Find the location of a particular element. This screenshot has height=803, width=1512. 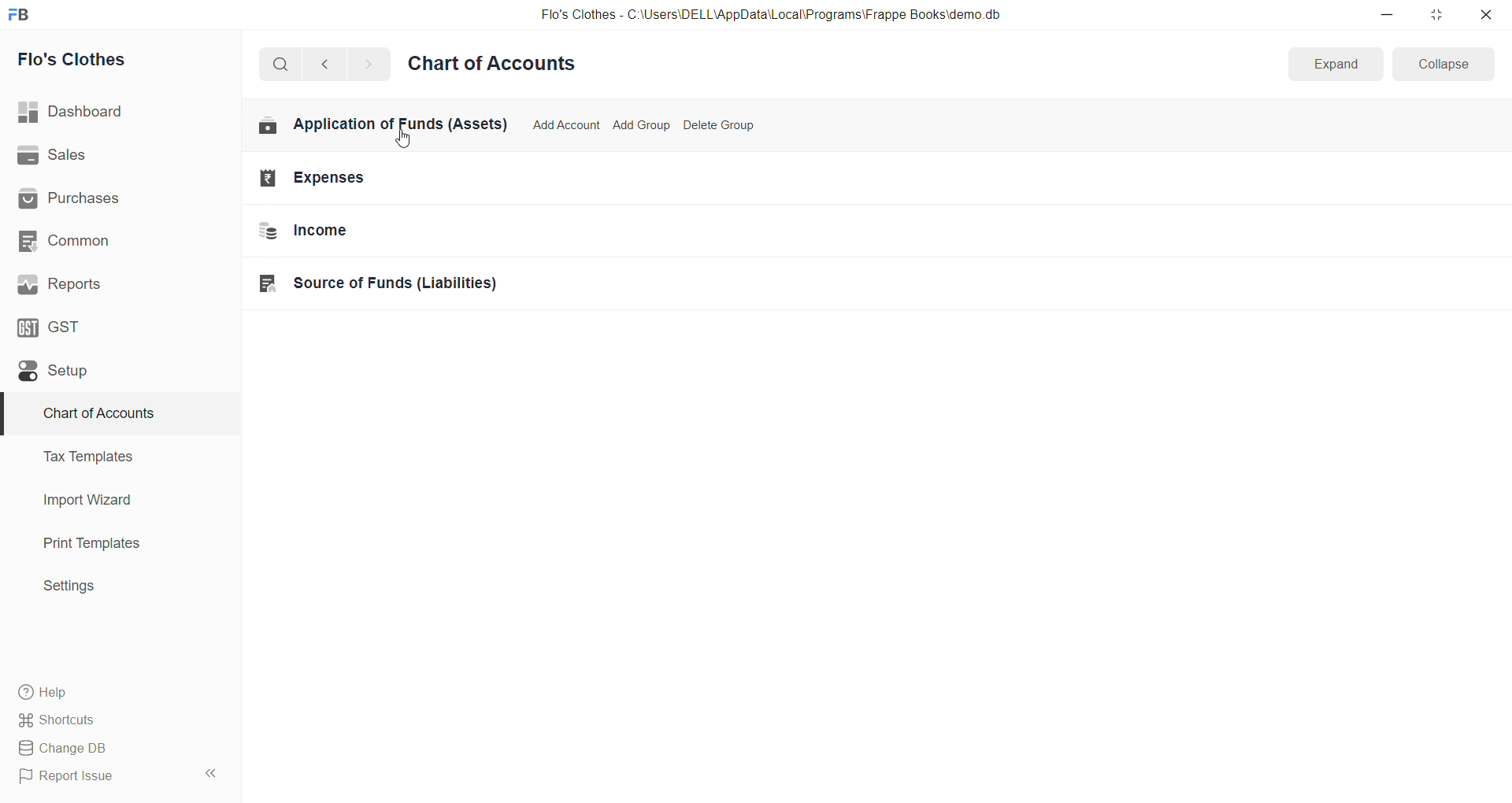

Add Account is located at coordinates (566, 123).